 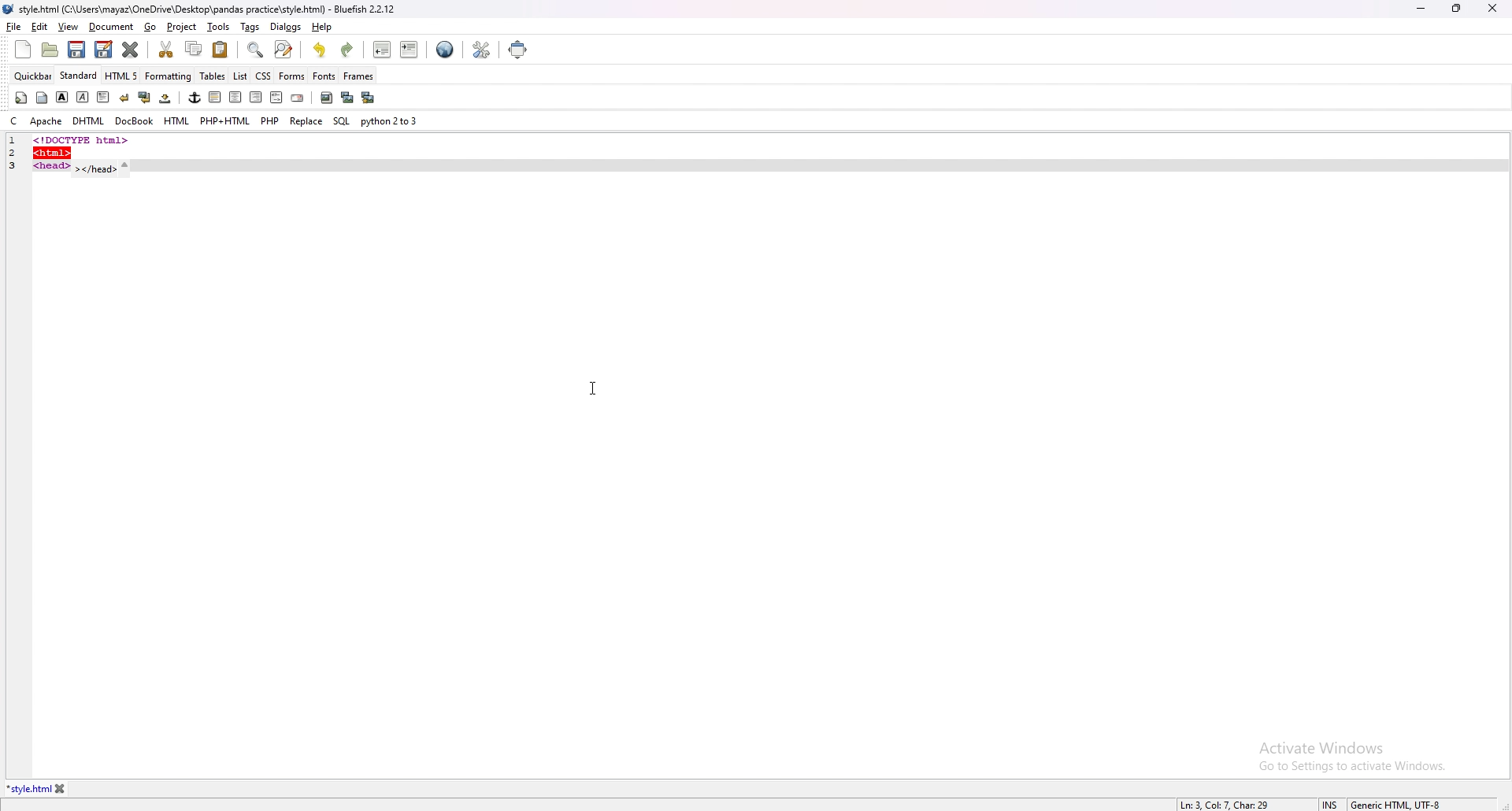 I want to click on line info, so click(x=1226, y=803).